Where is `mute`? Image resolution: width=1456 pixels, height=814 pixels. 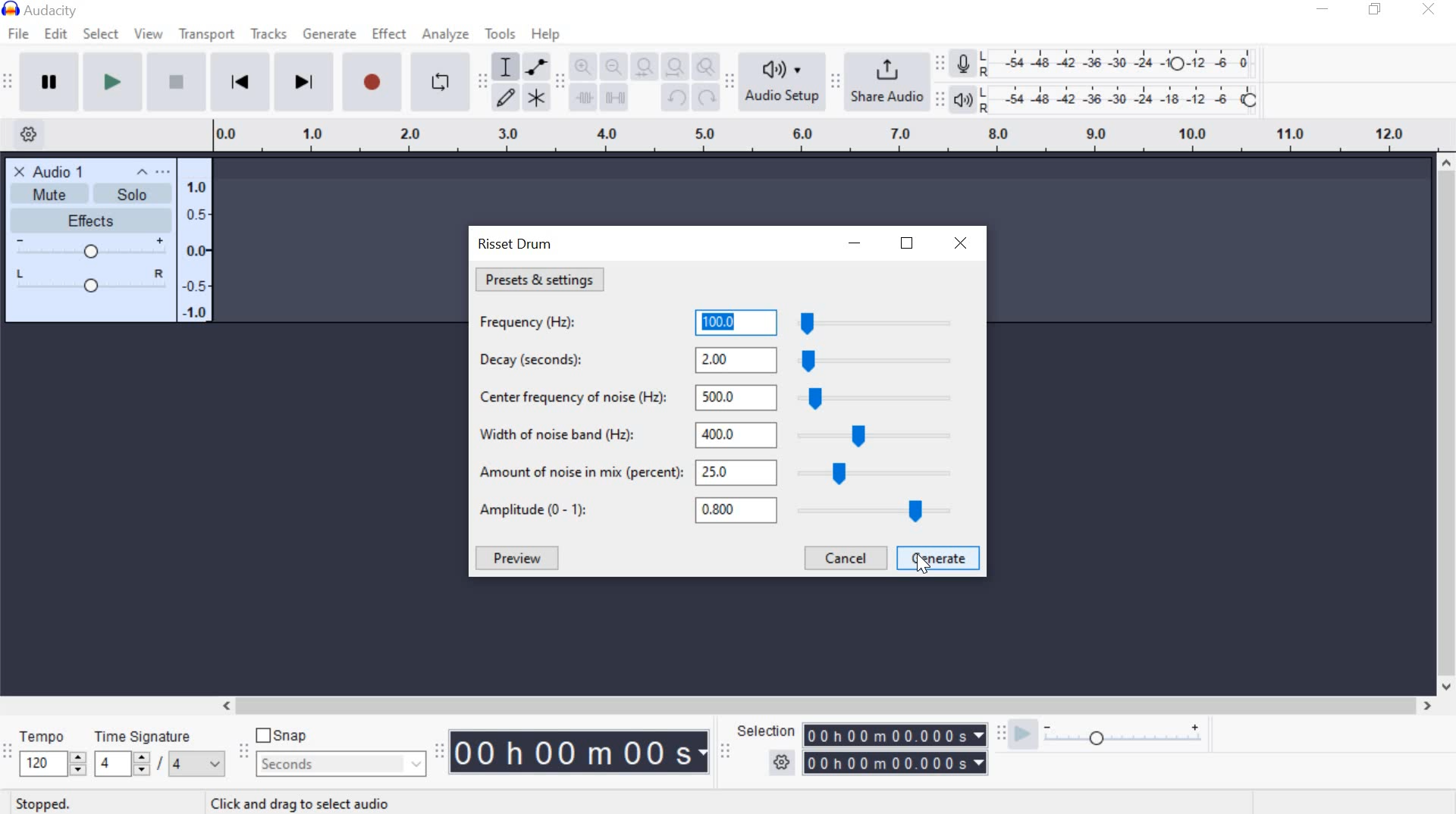
mute is located at coordinates (47, 194).